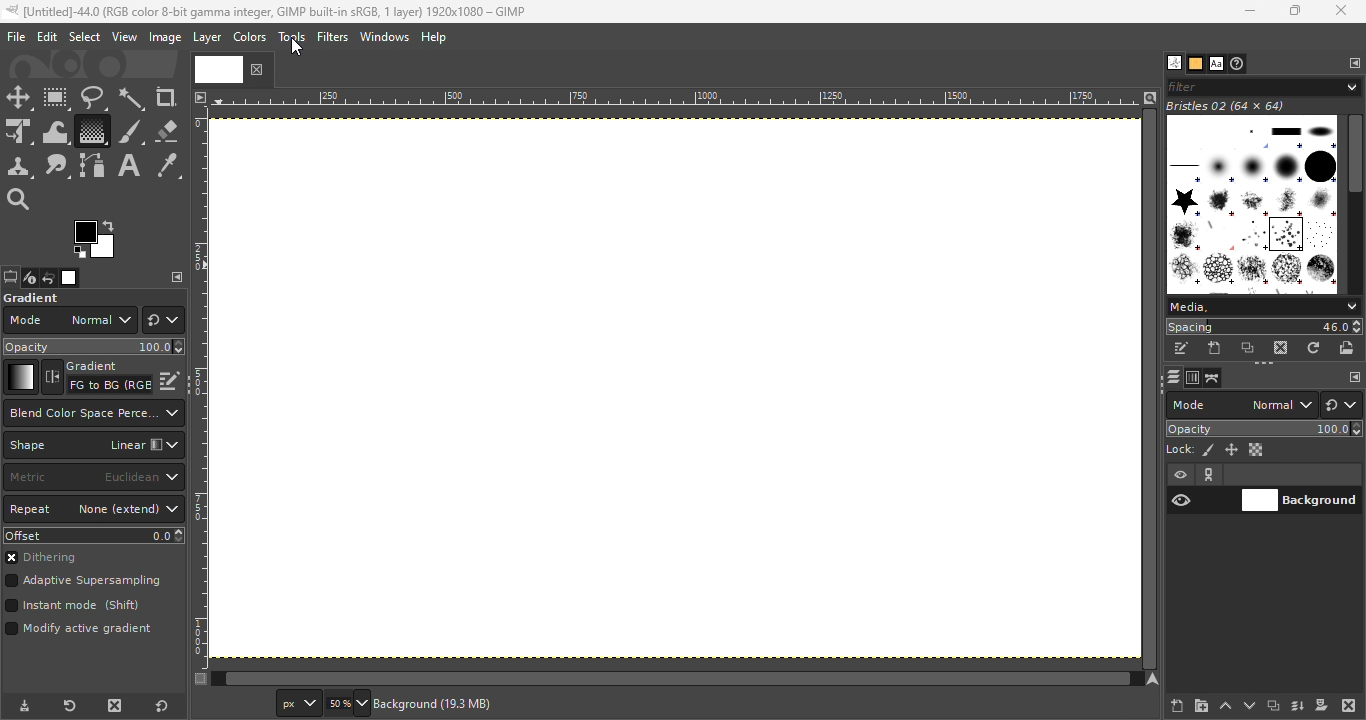  What do you see at coordinates (129, 166) in the screenshot?
I see `Text tool` at bounding box center [129, 166].